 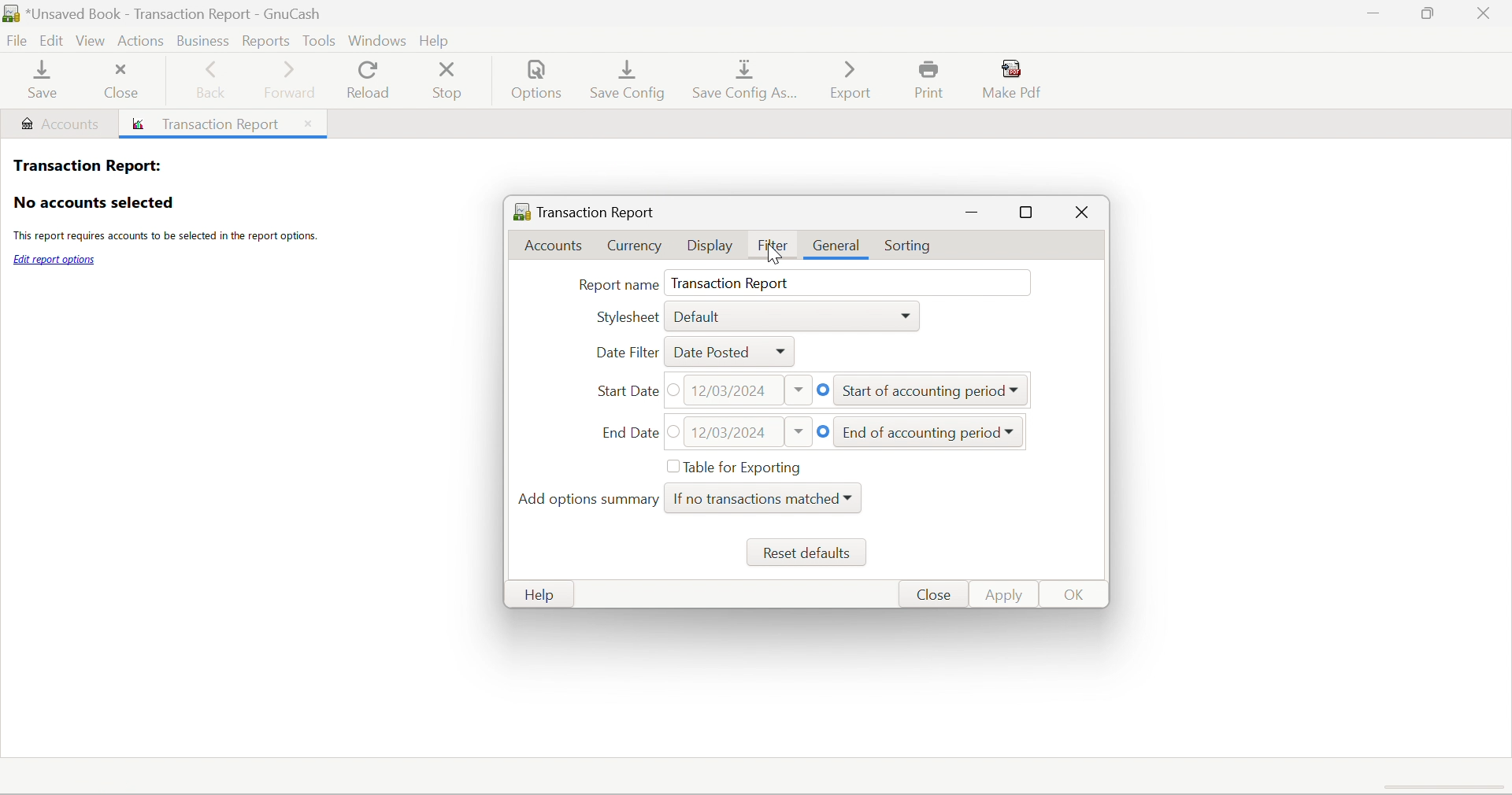 I want to click on No accounts selected, so click(x=93, y=203).